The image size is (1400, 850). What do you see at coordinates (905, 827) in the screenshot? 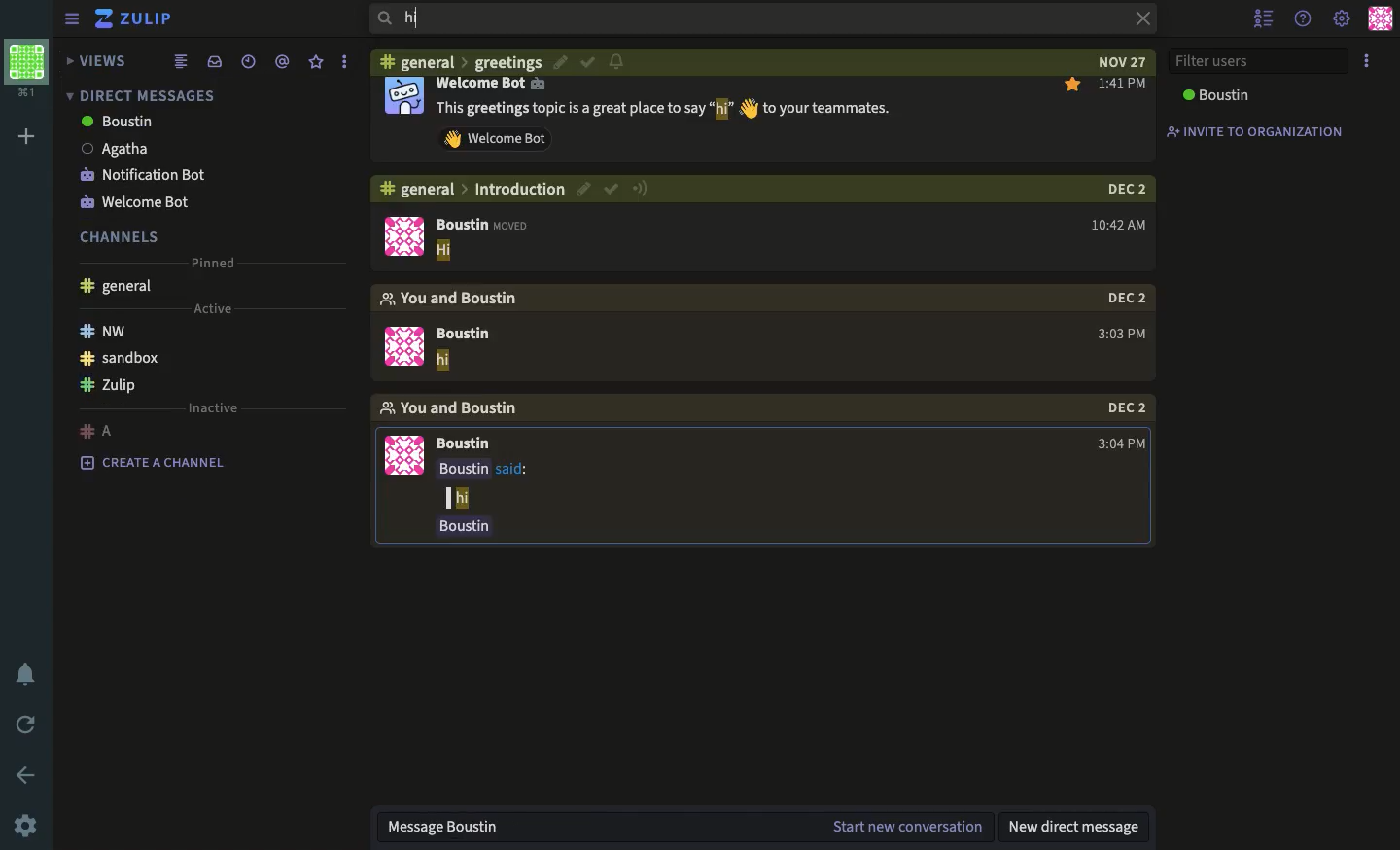
I see `start new conversation` at bounding box center [905, 827].